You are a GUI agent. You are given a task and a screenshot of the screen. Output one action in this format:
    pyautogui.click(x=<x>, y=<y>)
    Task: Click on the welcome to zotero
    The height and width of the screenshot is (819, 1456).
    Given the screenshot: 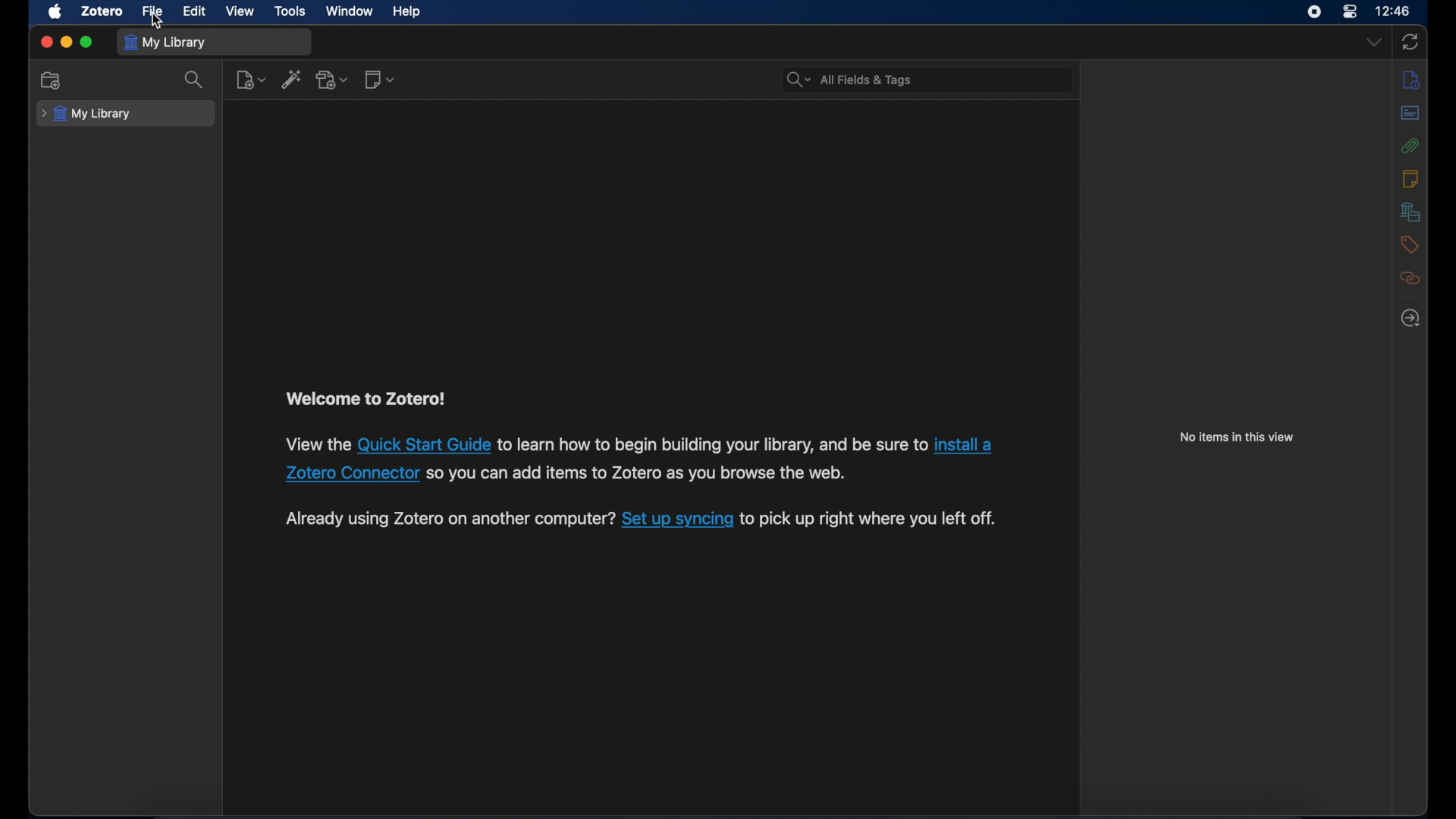 What is the action you would take?
    pyautogui.click(x=366, y=398)
    